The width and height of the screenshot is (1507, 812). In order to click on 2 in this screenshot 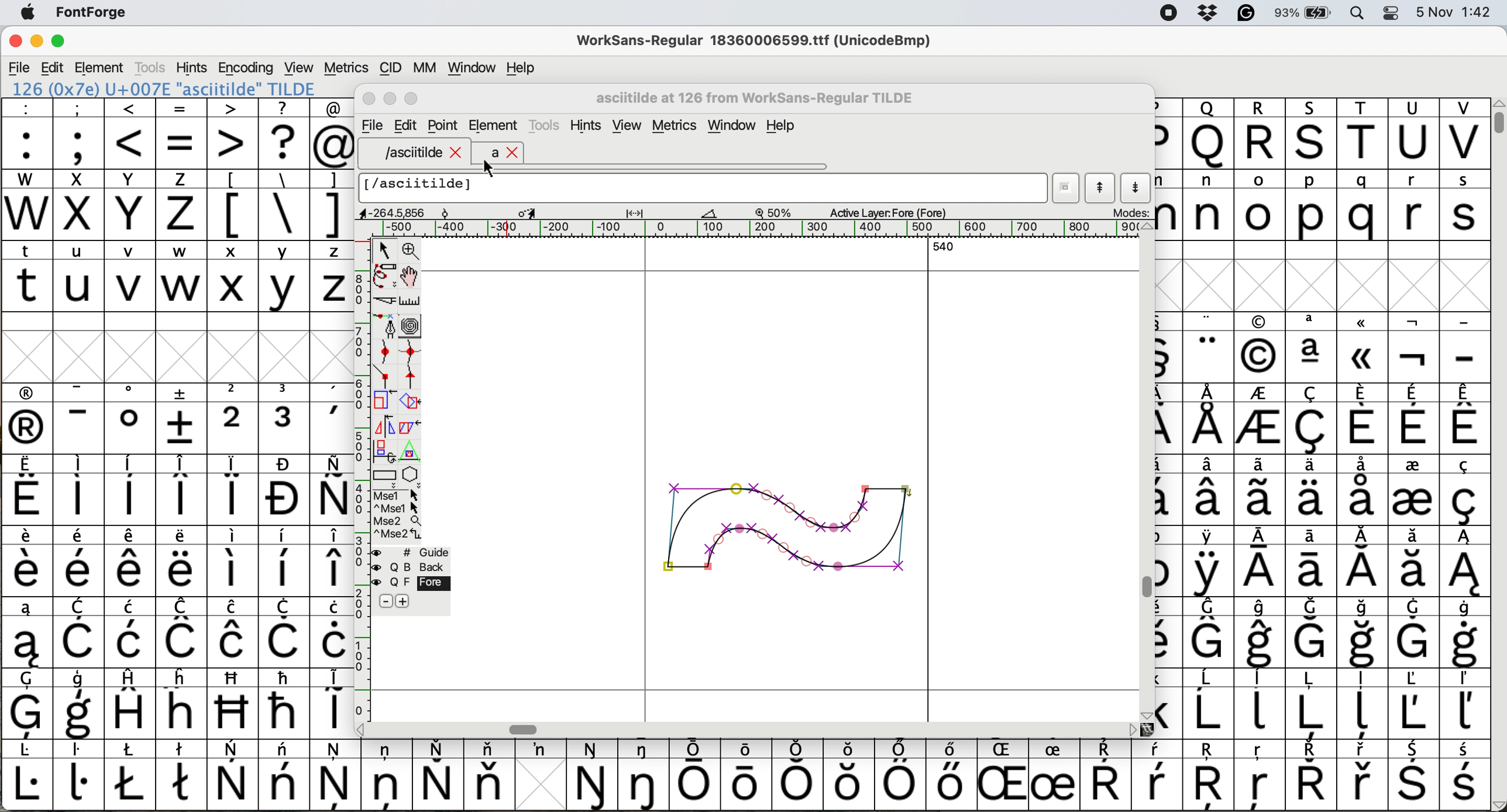, I will do `click(233, 418)`.